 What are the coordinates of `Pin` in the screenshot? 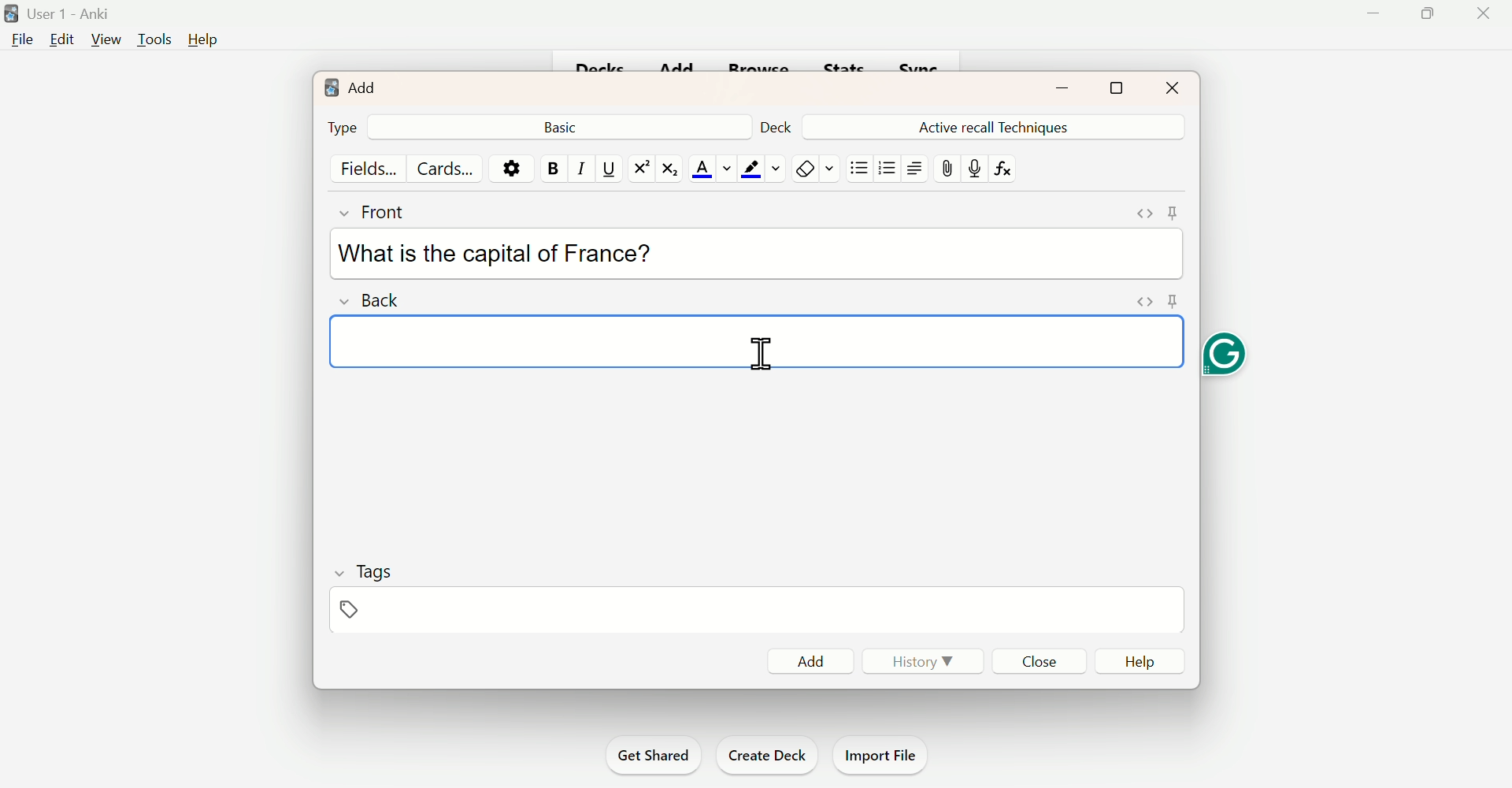 It's located at (1153, 208).